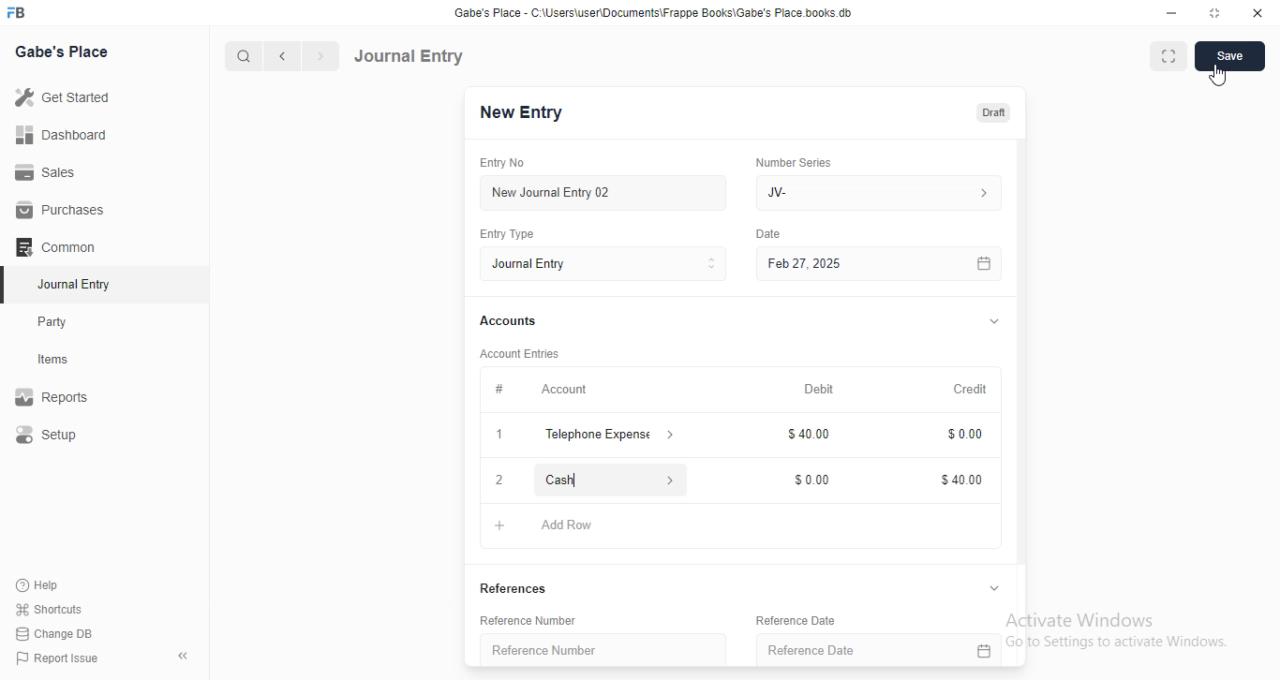 This screenshot has width=1280, height=680. Describe the element at coordinates (283, 57) in the screenshot. I see `Previous` at that location.